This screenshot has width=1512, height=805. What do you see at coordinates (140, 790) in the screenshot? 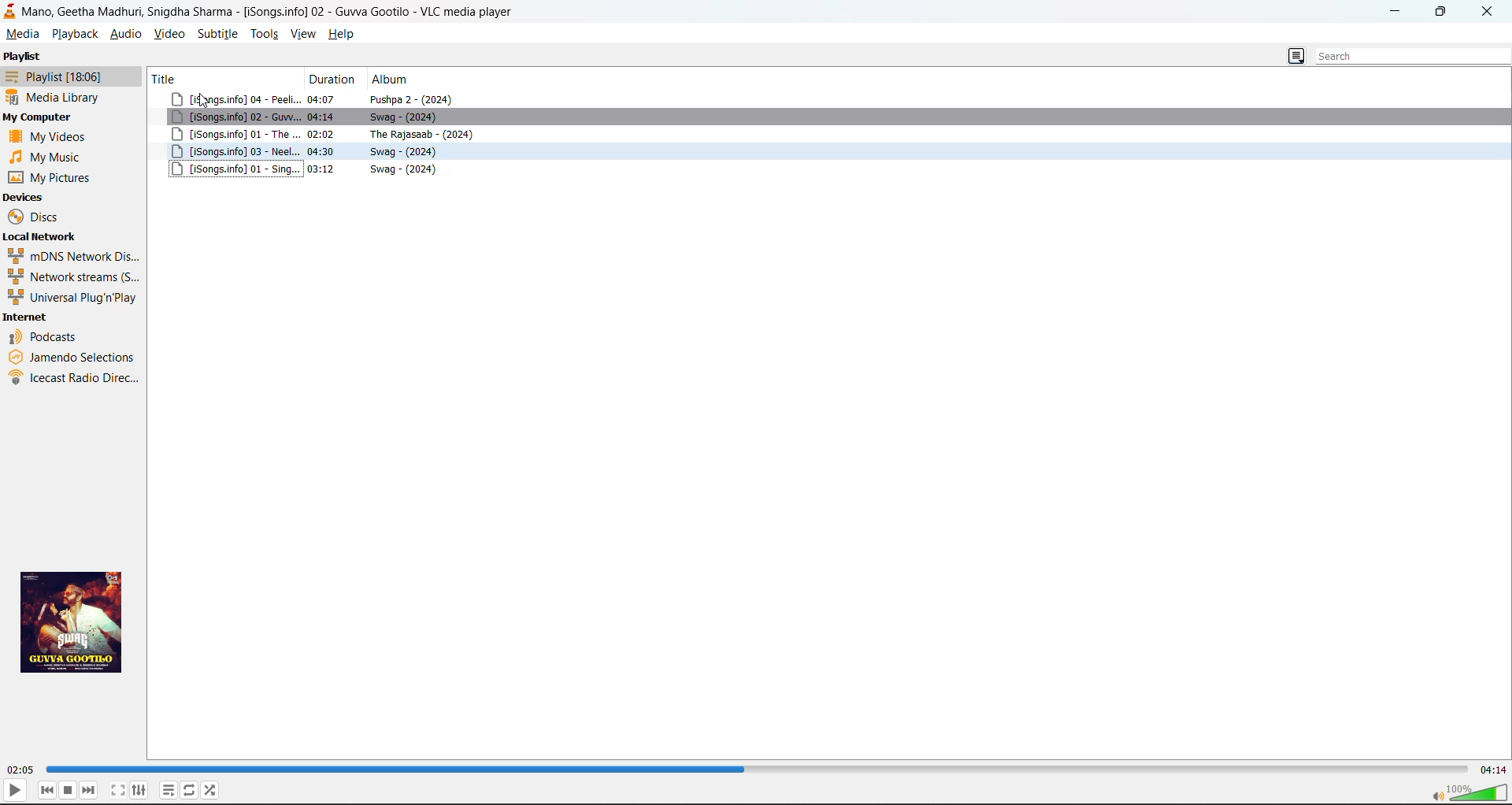
I see `settings` at bounding box center [140, 790].